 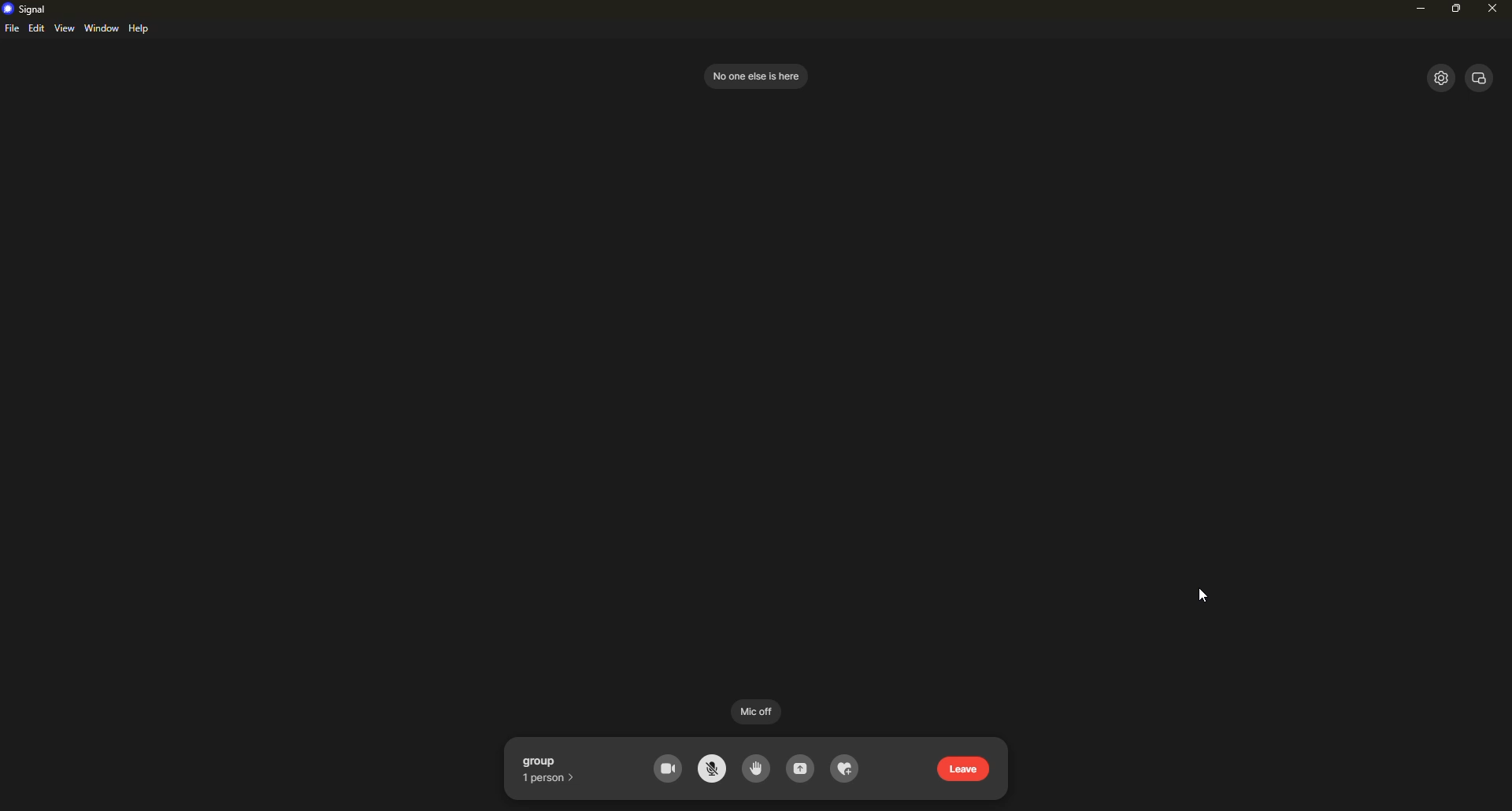 What do you see at coordinates (142, 29) in the screenshot?
I see `help` at bounding box center [142, 29].